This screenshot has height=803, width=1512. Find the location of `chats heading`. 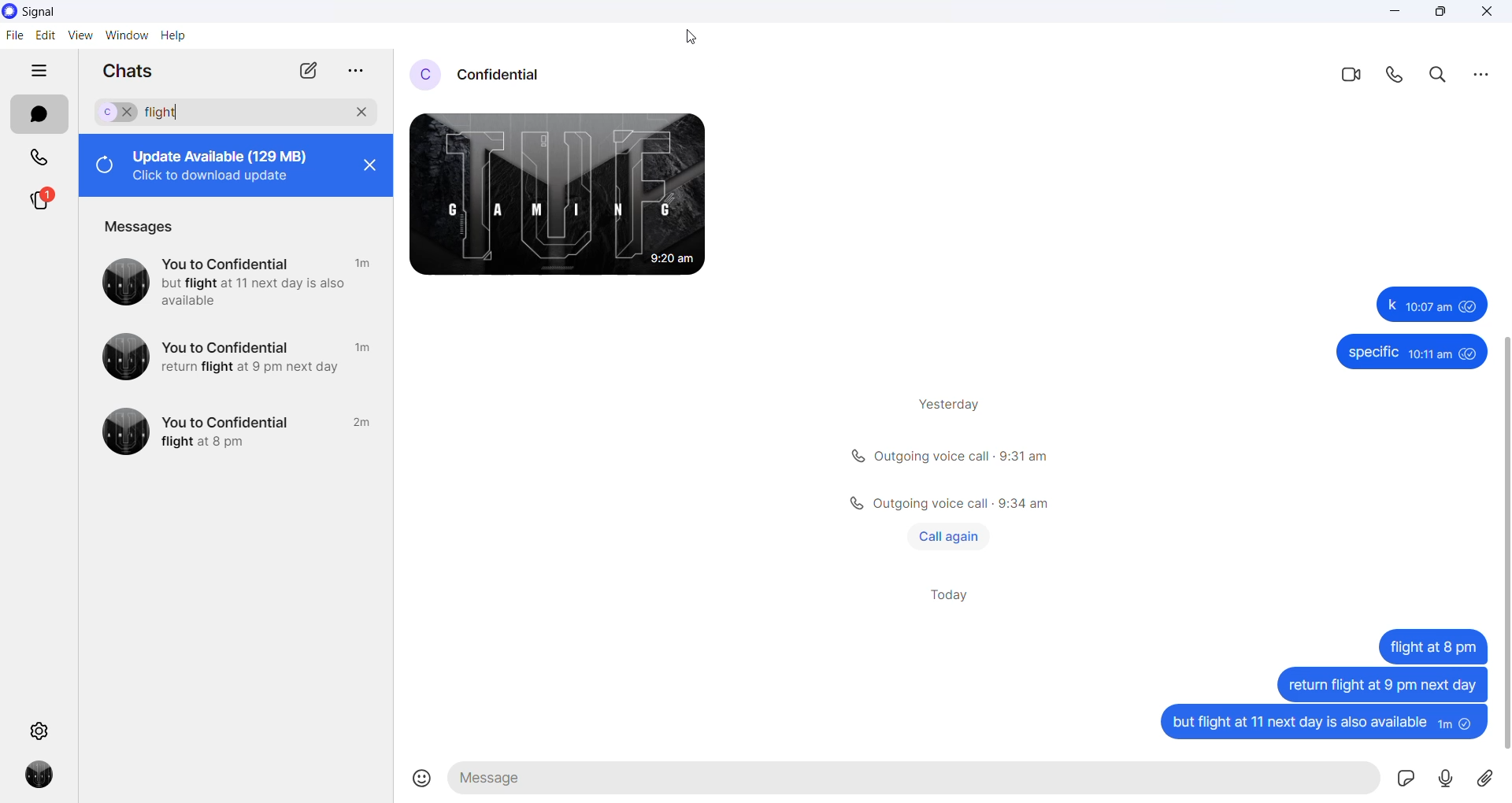

chats heading is located at coordinates (130, 70).